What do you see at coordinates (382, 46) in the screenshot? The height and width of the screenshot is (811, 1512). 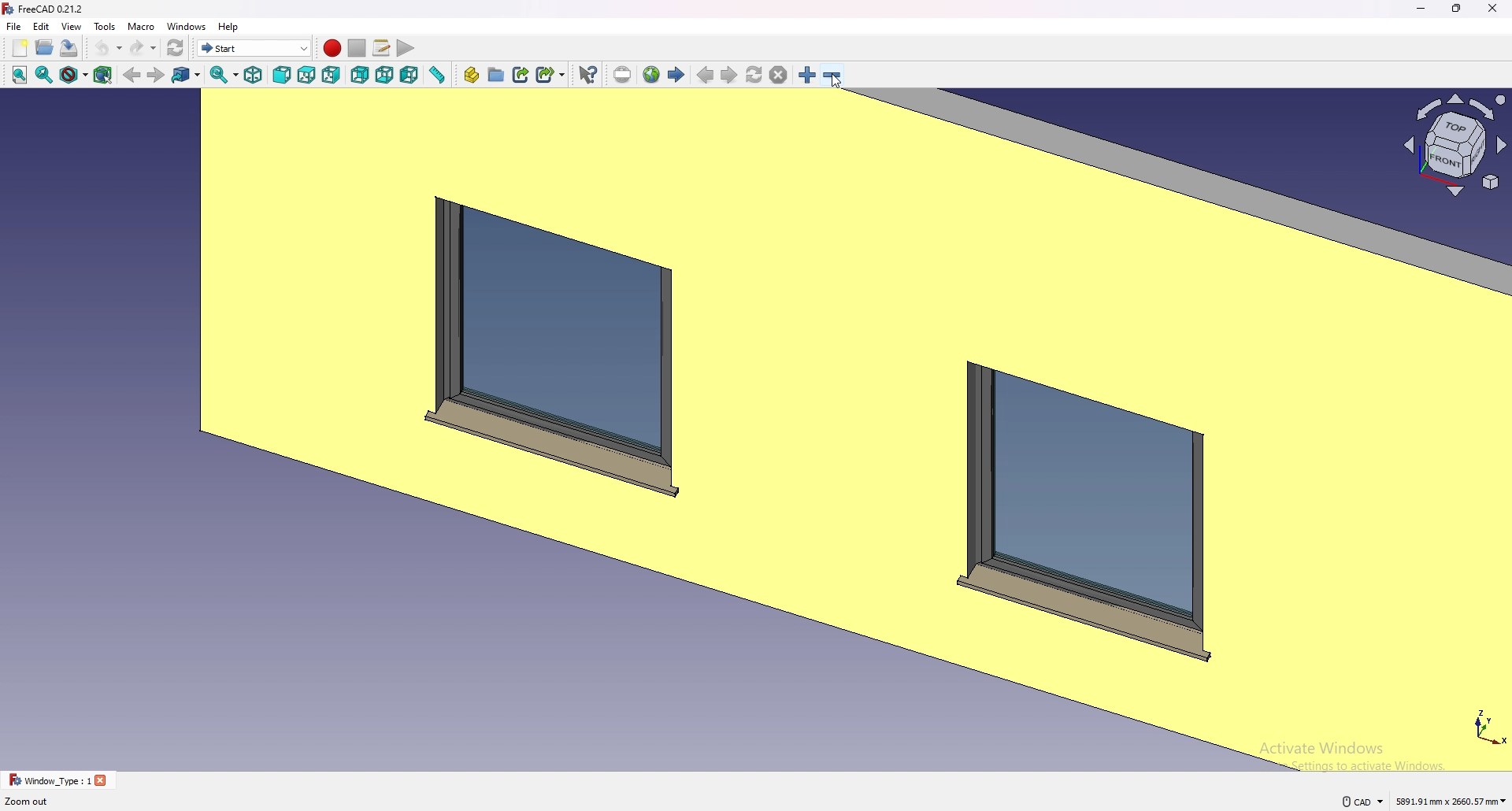 I see `macros` at bounding box center [382, 46].